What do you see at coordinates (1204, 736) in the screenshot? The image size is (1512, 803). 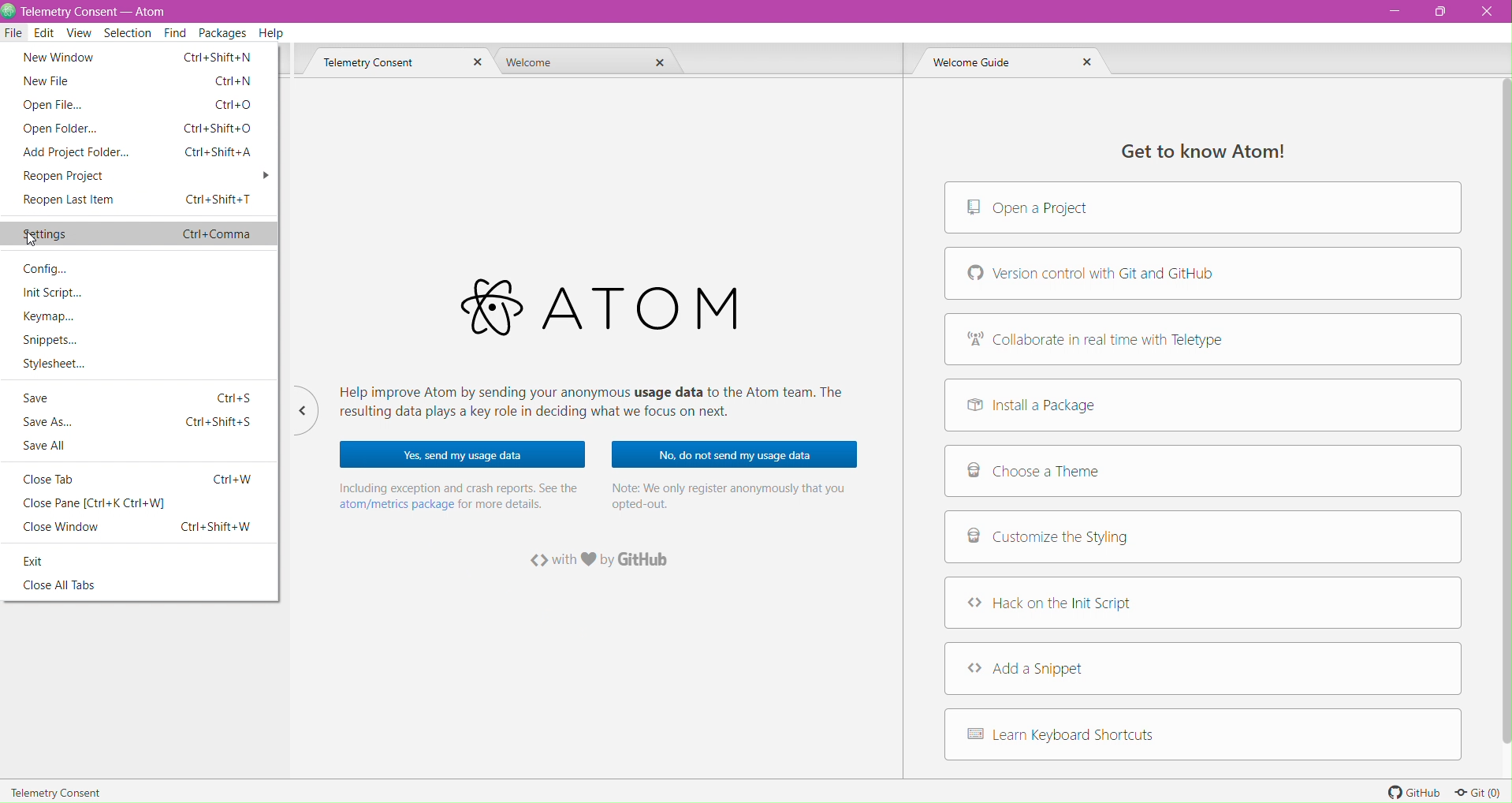 I see `Learn Keyboard Shortcuts` at bounding box center [1204, 736].